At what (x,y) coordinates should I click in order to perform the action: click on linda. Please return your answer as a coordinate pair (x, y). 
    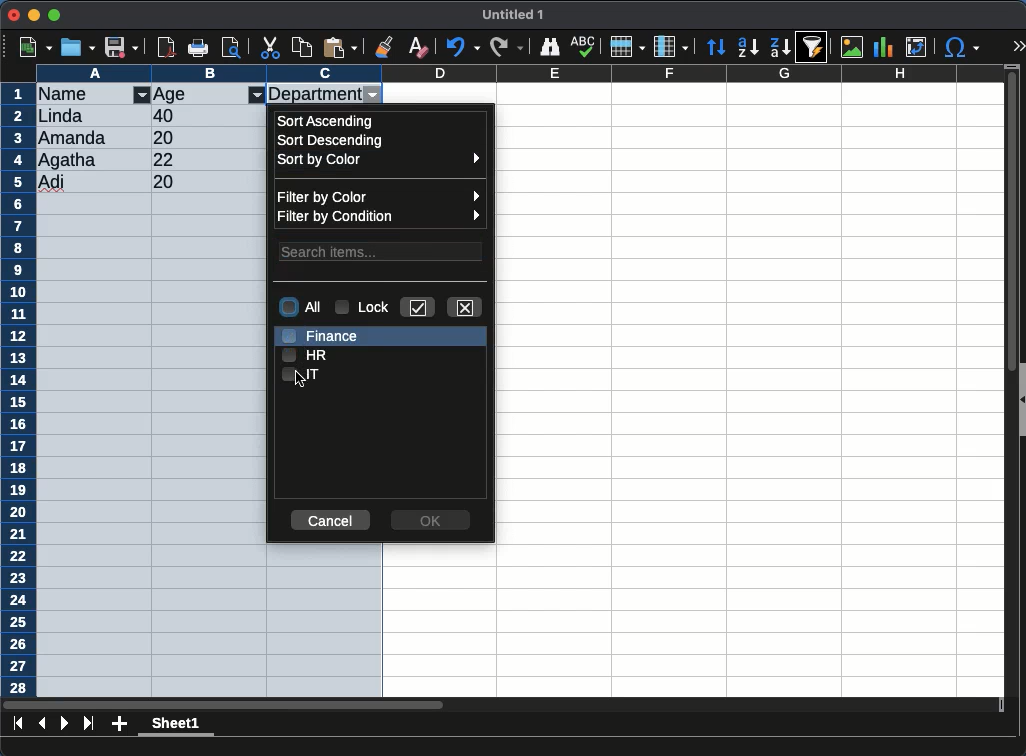
    Looking at the image, I should click on (59, 116).